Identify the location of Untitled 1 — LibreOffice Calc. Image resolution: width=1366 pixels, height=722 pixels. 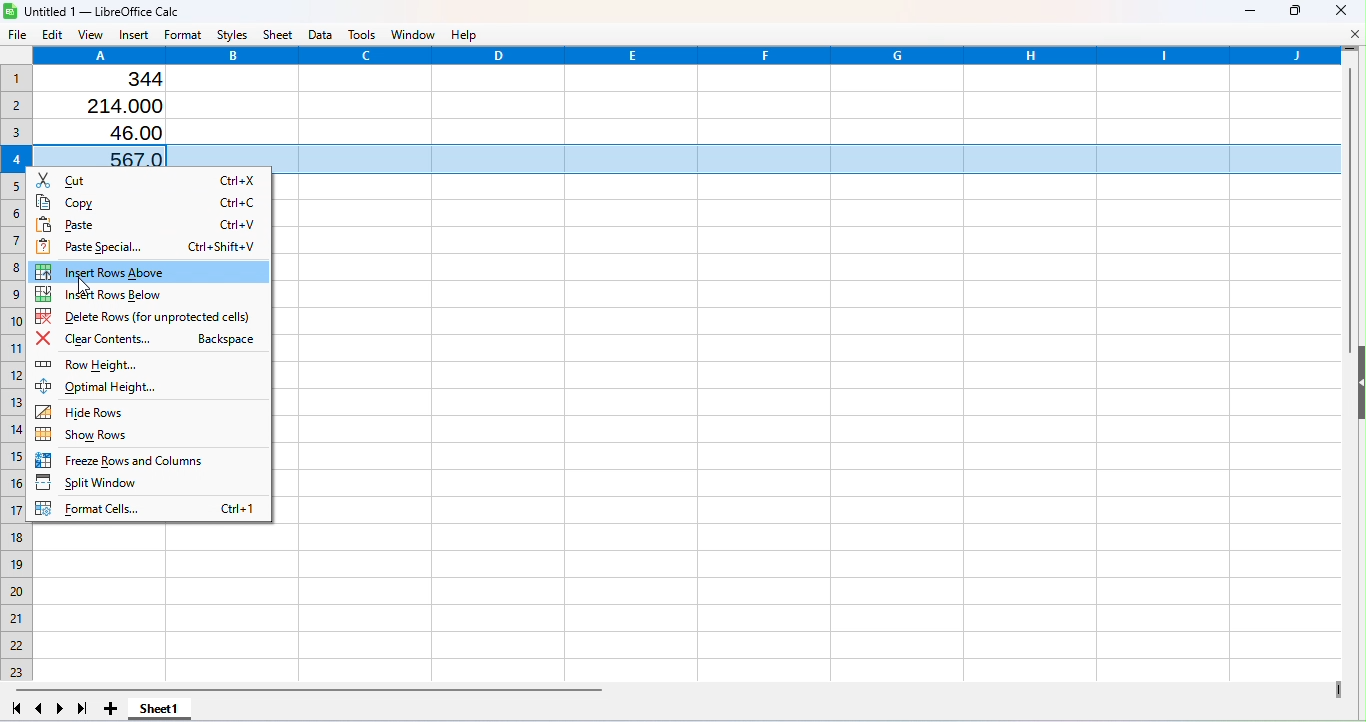
(101, 10).